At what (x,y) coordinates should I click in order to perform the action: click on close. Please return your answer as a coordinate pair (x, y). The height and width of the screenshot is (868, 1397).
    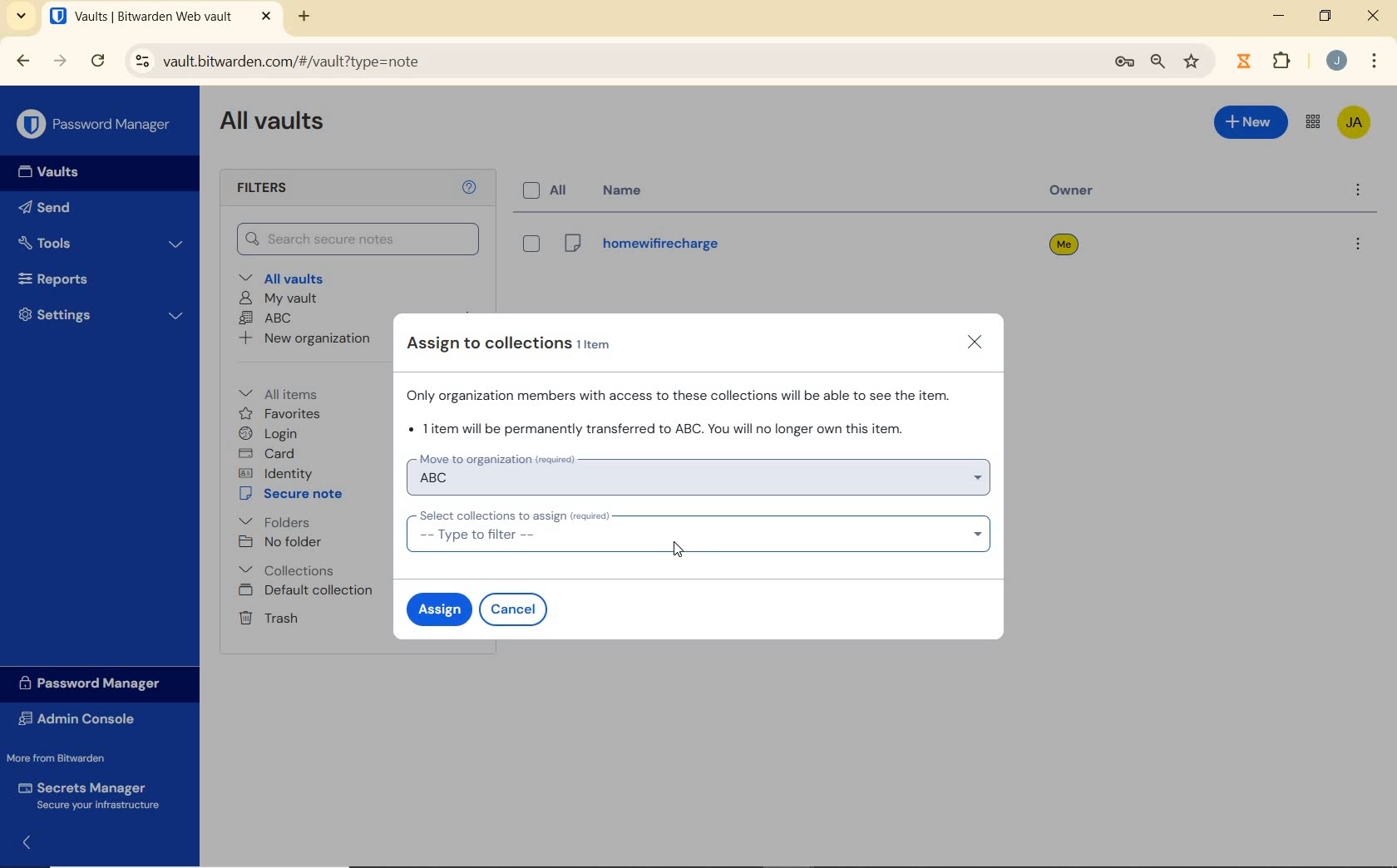
    Looking at the image, I should click on (1373, 15).